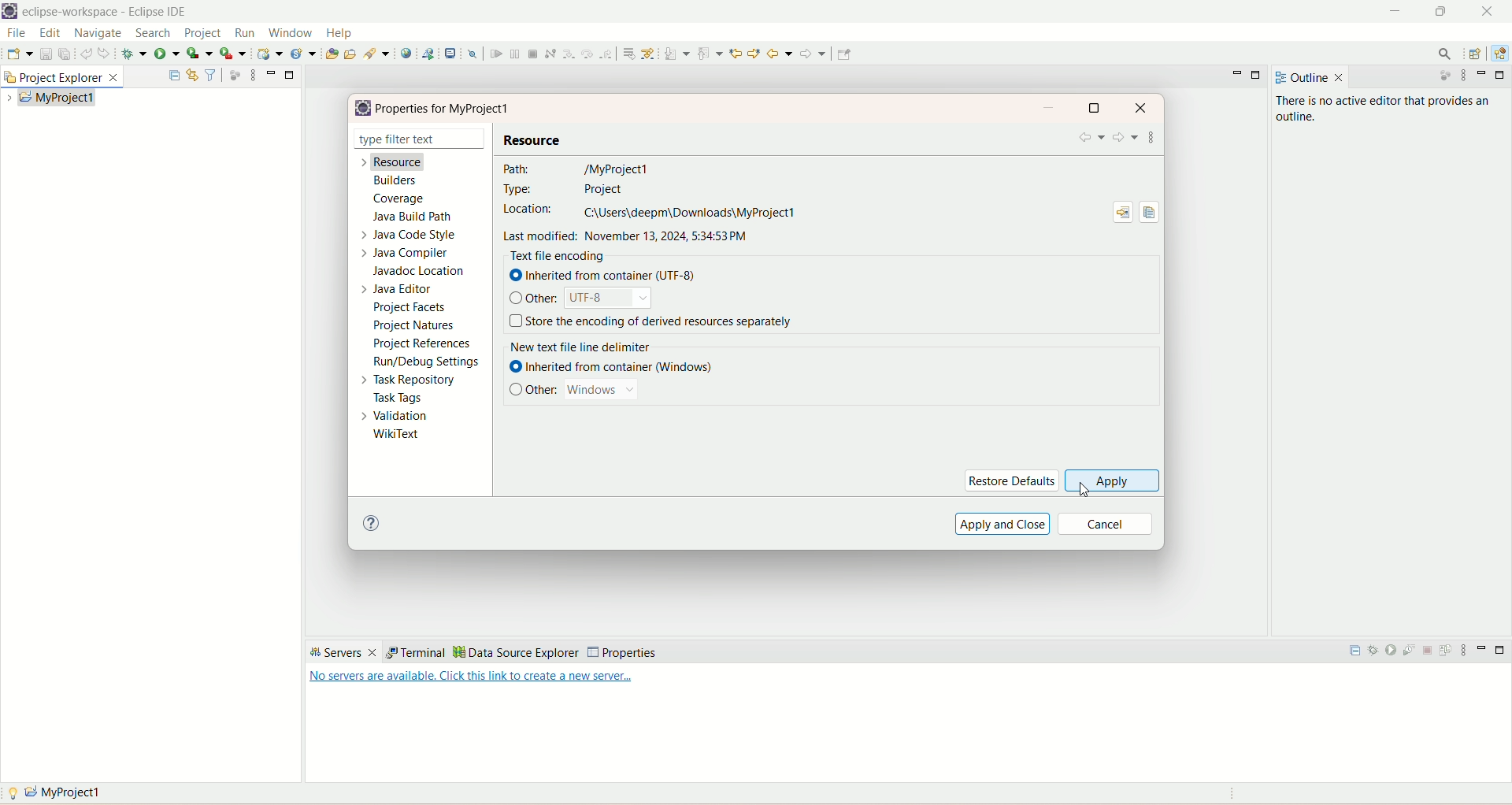 The width and height of the screenshot is (1512, 805). What do you see at coordinates (1125, 139) in the screenshot?
I see `forward` at bounding box center [1125, 139].